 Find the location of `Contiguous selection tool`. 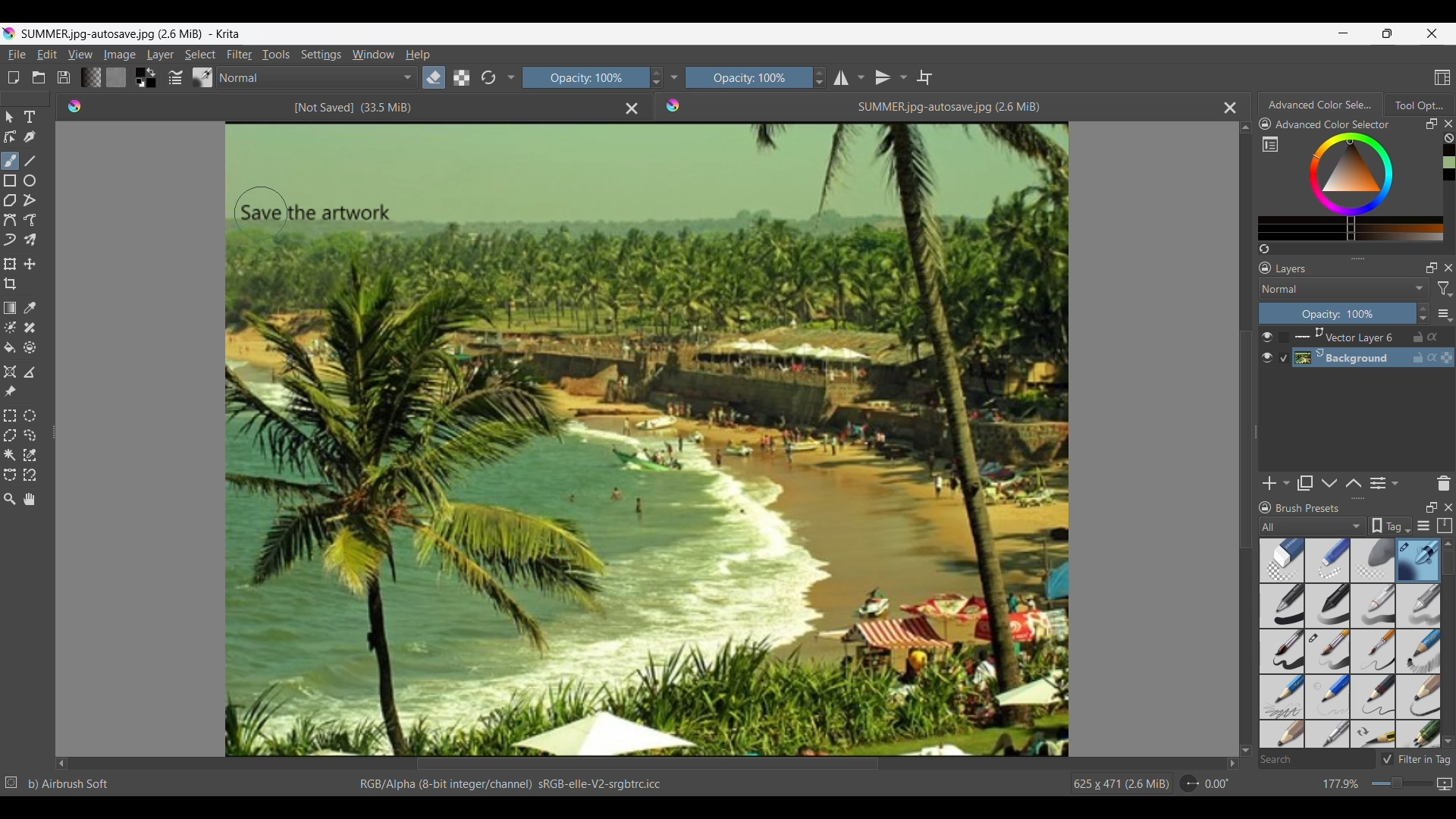

Contiguous selection tool is located at coordinates (10, 456).